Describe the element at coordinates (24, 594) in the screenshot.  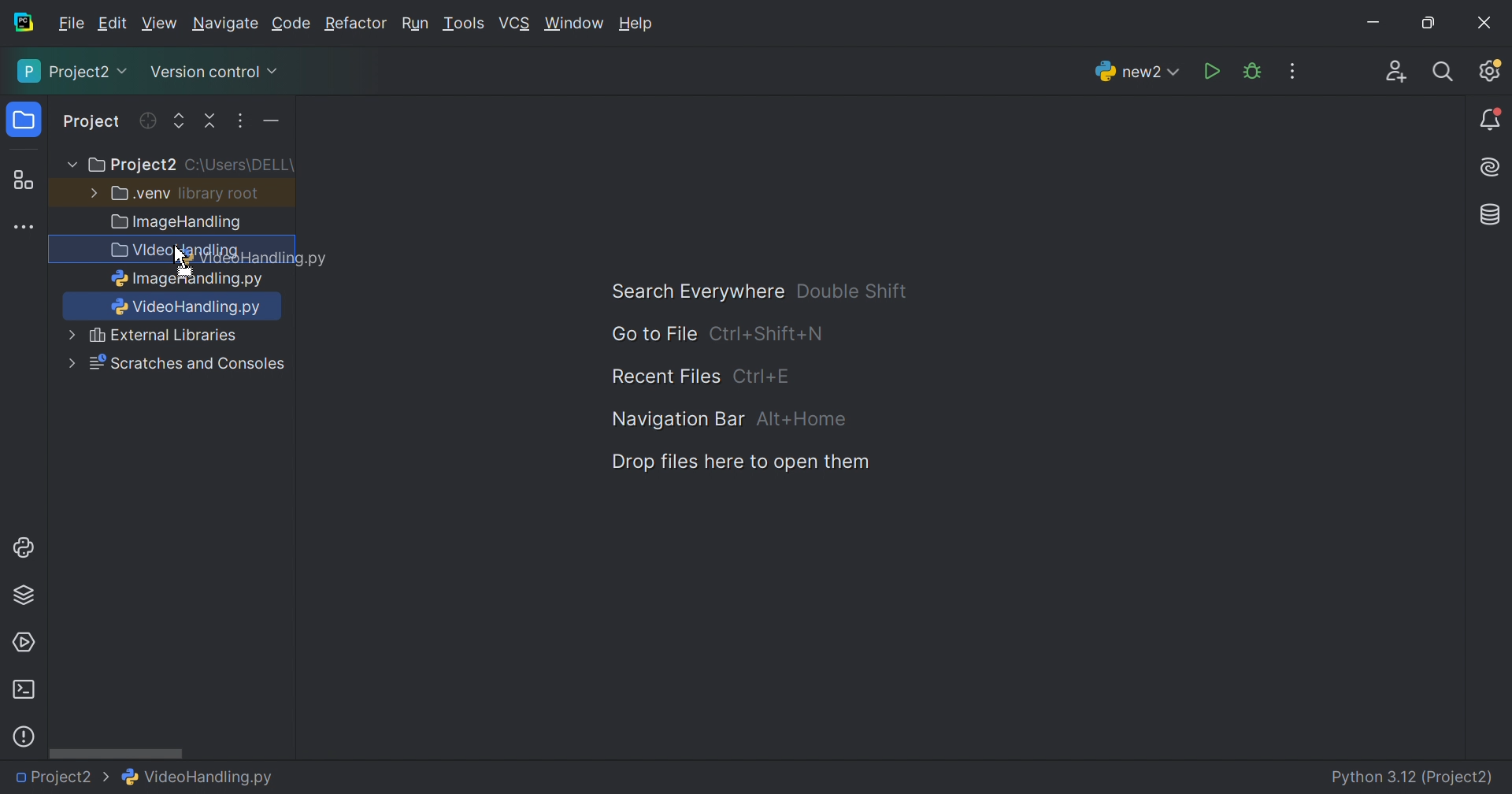
I see `Python packages` at that location.